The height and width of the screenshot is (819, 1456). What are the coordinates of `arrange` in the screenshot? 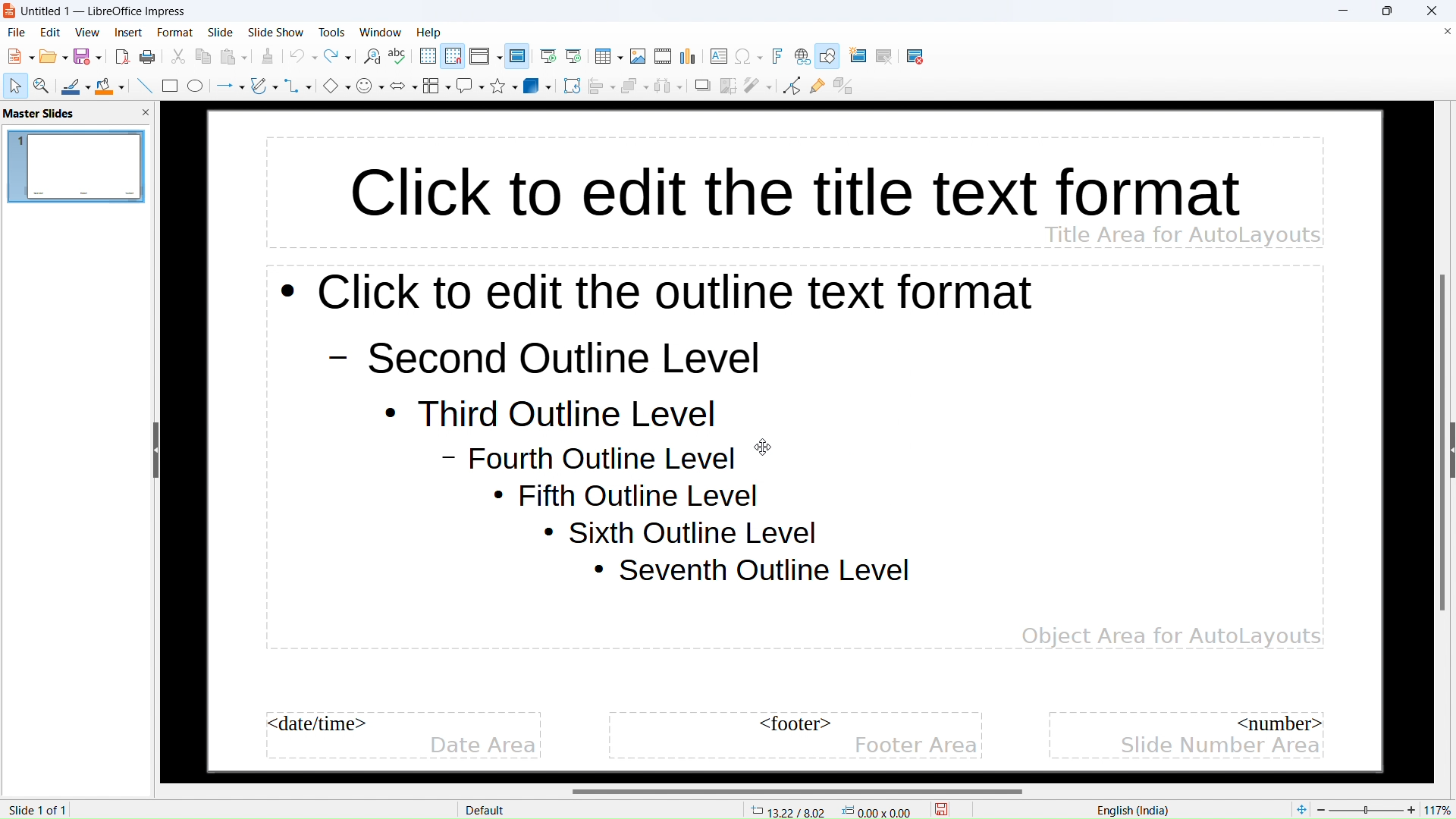 It's located at (634, 86).